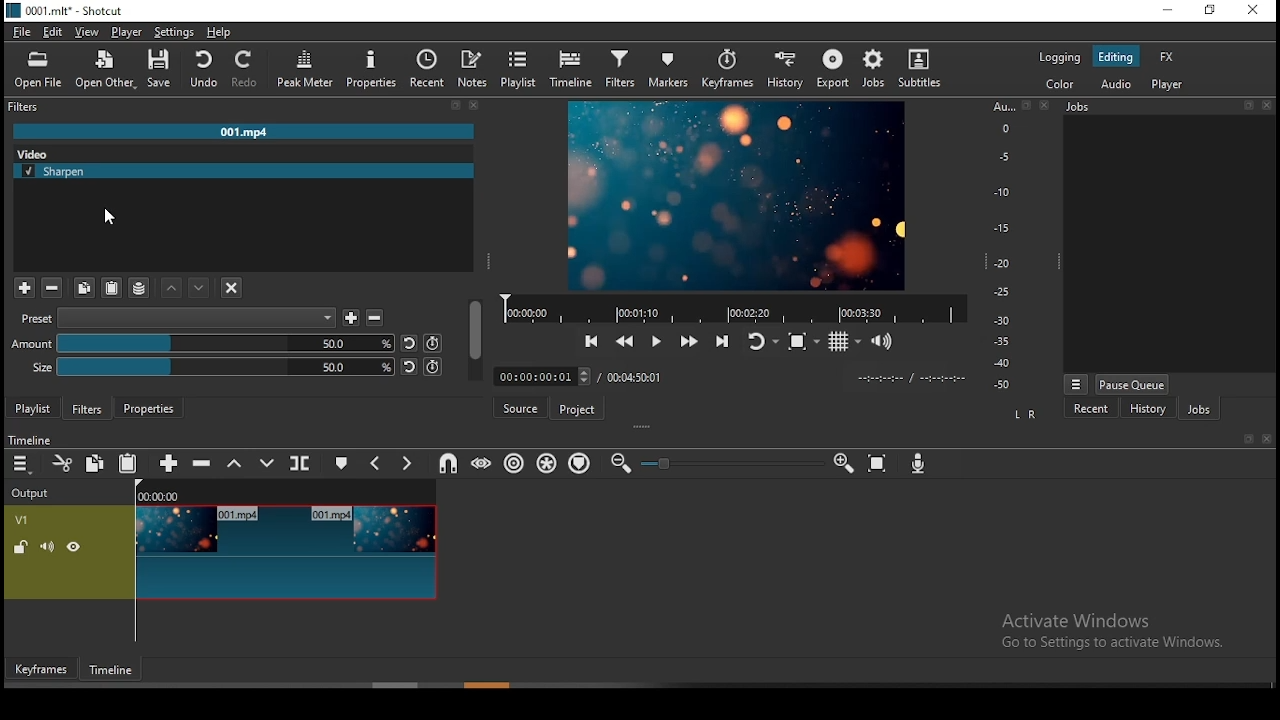 Image resolution: width=1280 pixels, height=720 pixels. I want to click on video track , so click(220, 553).